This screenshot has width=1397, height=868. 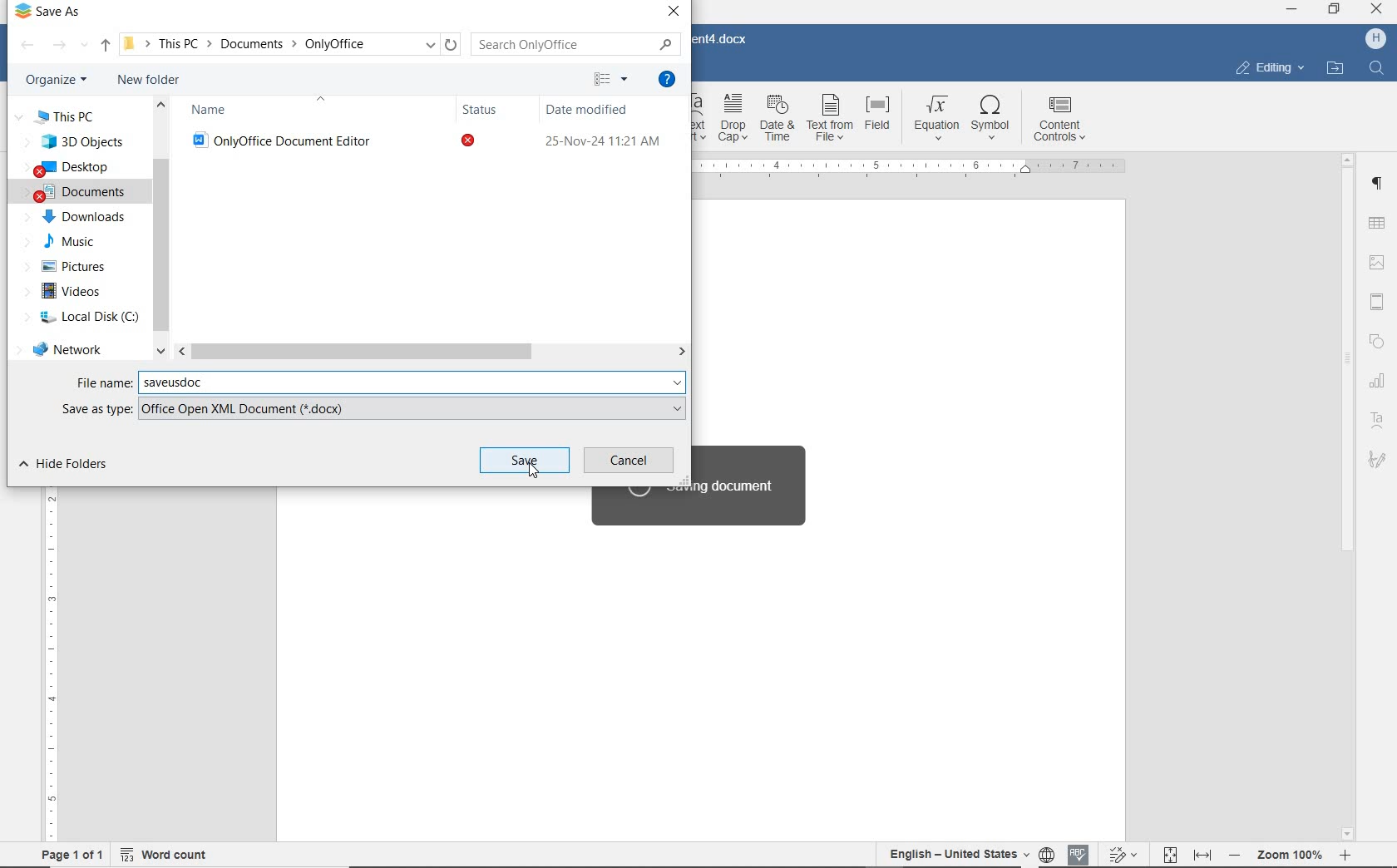 I want to click on close, so click(x=675, y=13).